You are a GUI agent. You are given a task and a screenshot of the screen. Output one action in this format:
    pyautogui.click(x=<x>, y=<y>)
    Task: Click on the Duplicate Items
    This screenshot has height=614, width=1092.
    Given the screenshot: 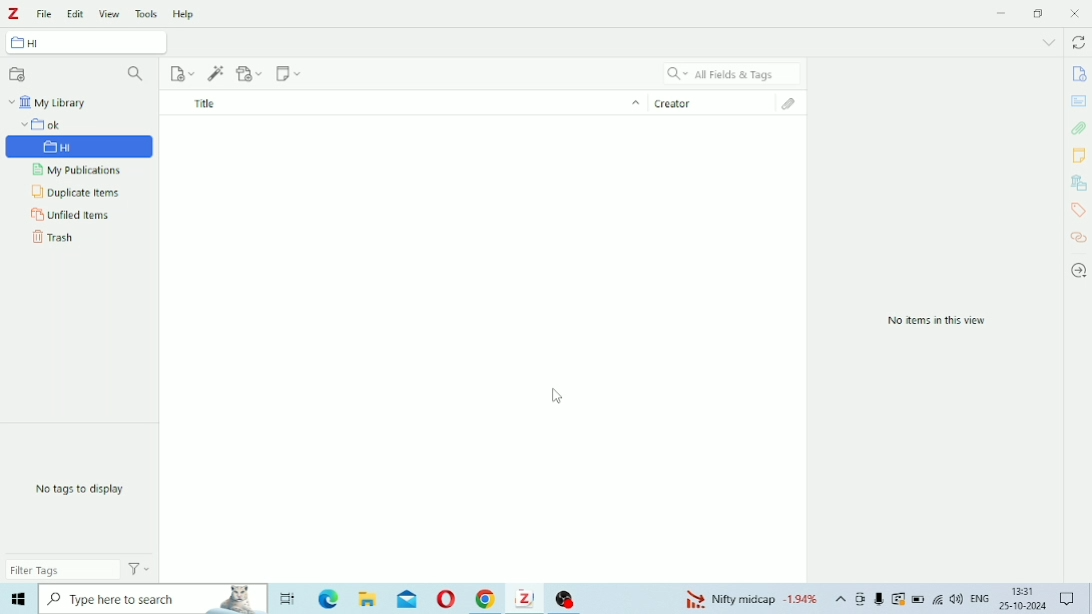 What is the action you would take?
    pyautogui.click(x=75, y=191)
    